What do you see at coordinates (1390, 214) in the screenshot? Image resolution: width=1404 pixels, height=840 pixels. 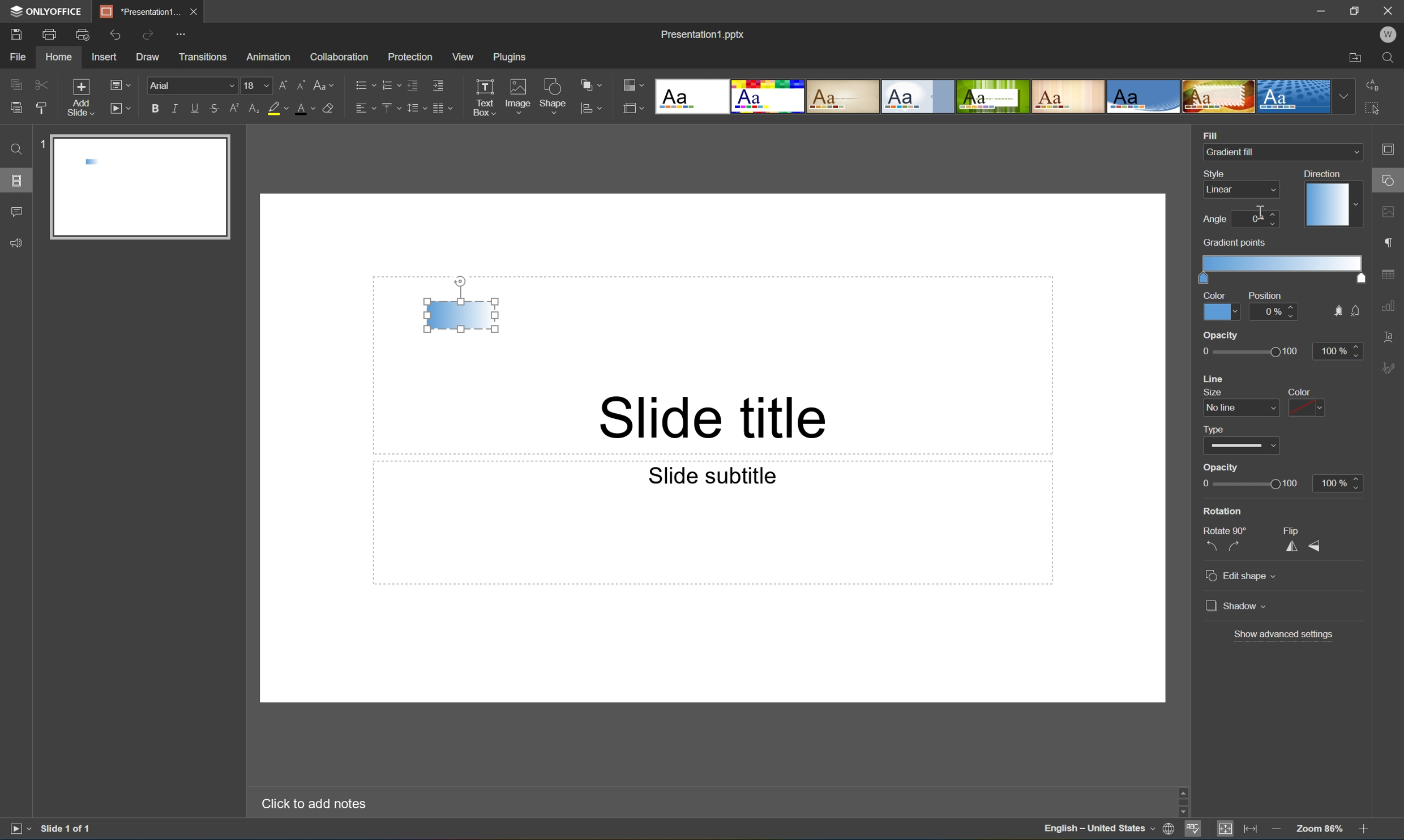 I see `image settings` at bounding box center [1390, 214].